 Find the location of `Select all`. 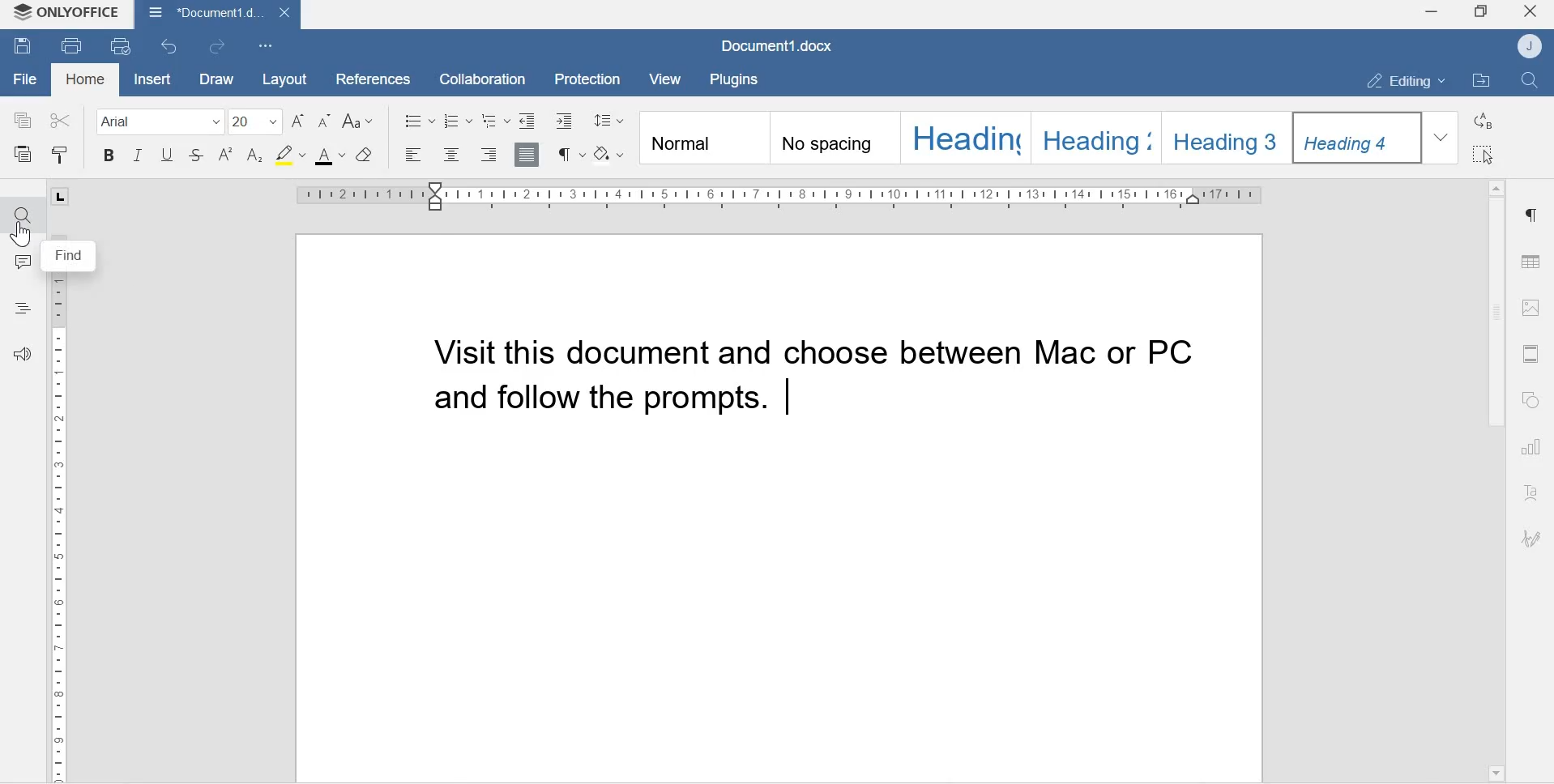

Select all is located at coordinates (1485, 155).